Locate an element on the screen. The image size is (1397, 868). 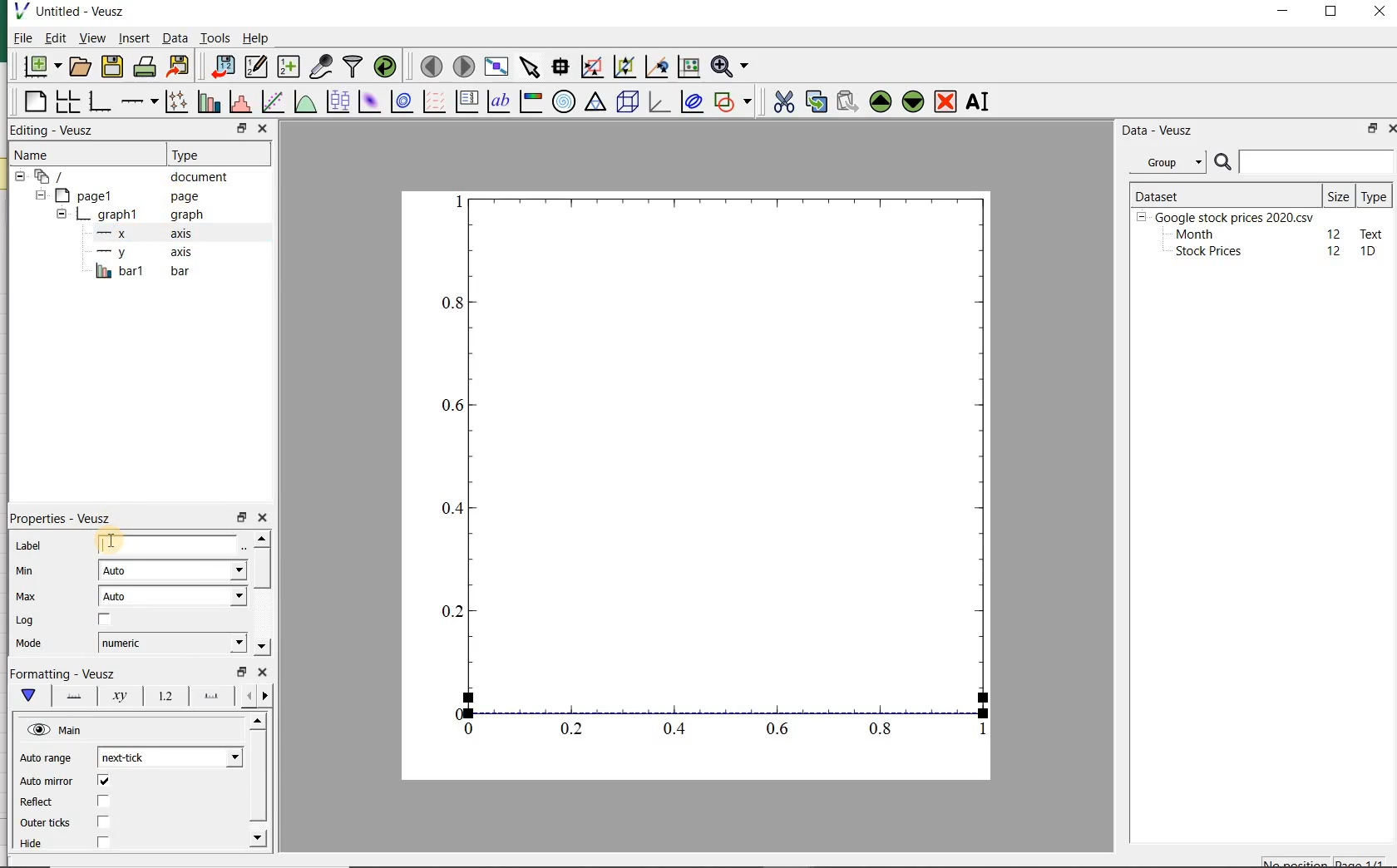
open a document is located at coordinates (81, 66).